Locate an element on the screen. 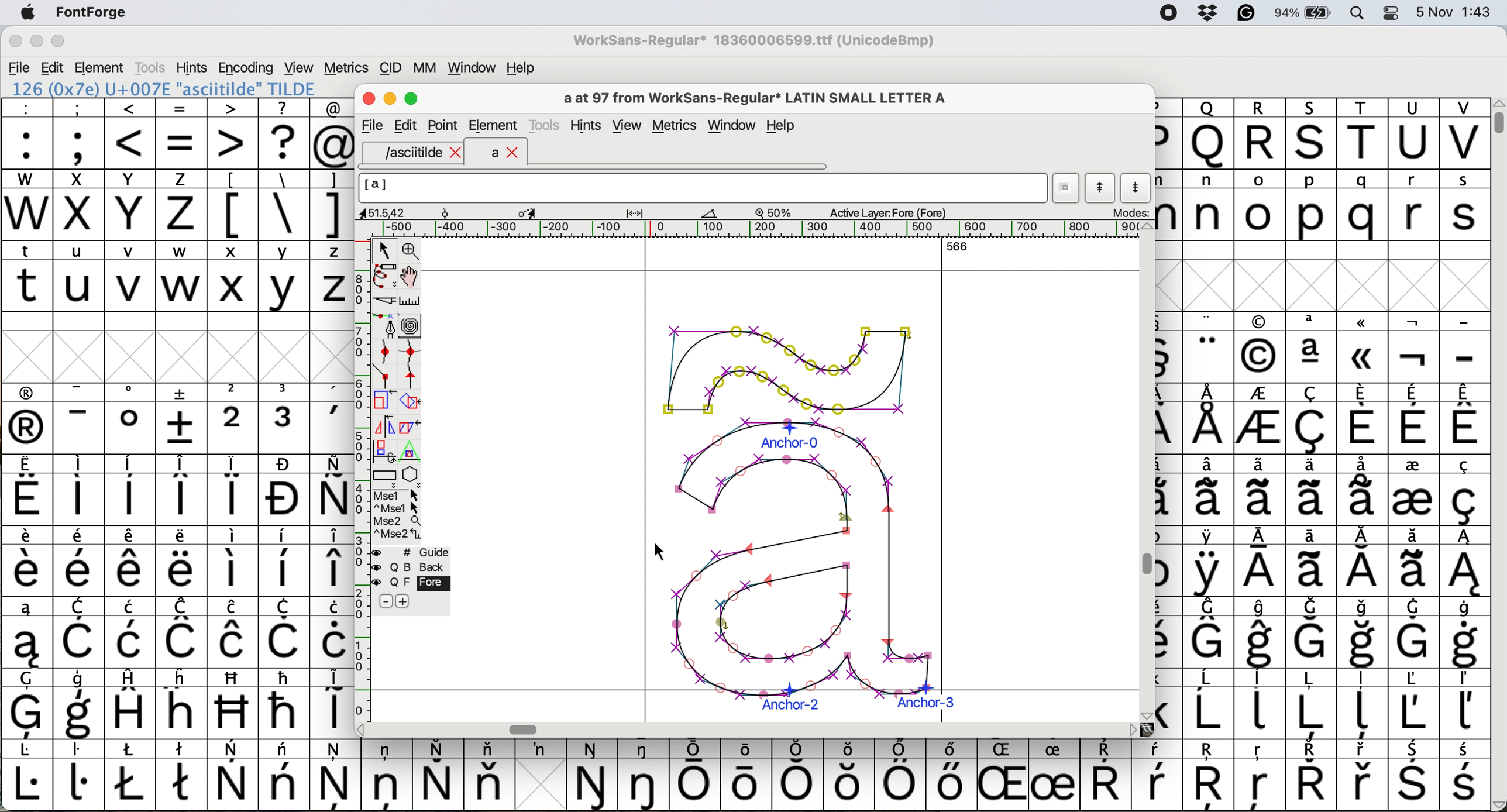 This screenshot has width=1507, height=812. Minimise is located at coordinates (391, 99).